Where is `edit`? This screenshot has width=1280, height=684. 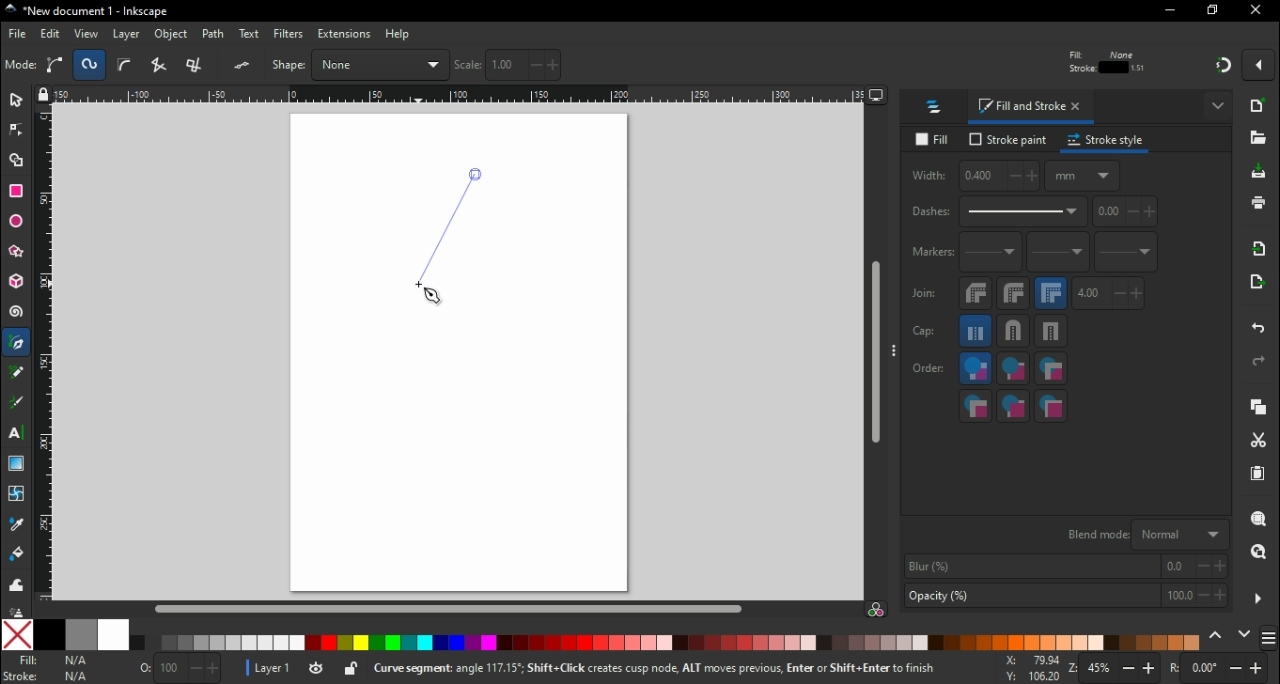
edit is located at coordinates (50, 35).